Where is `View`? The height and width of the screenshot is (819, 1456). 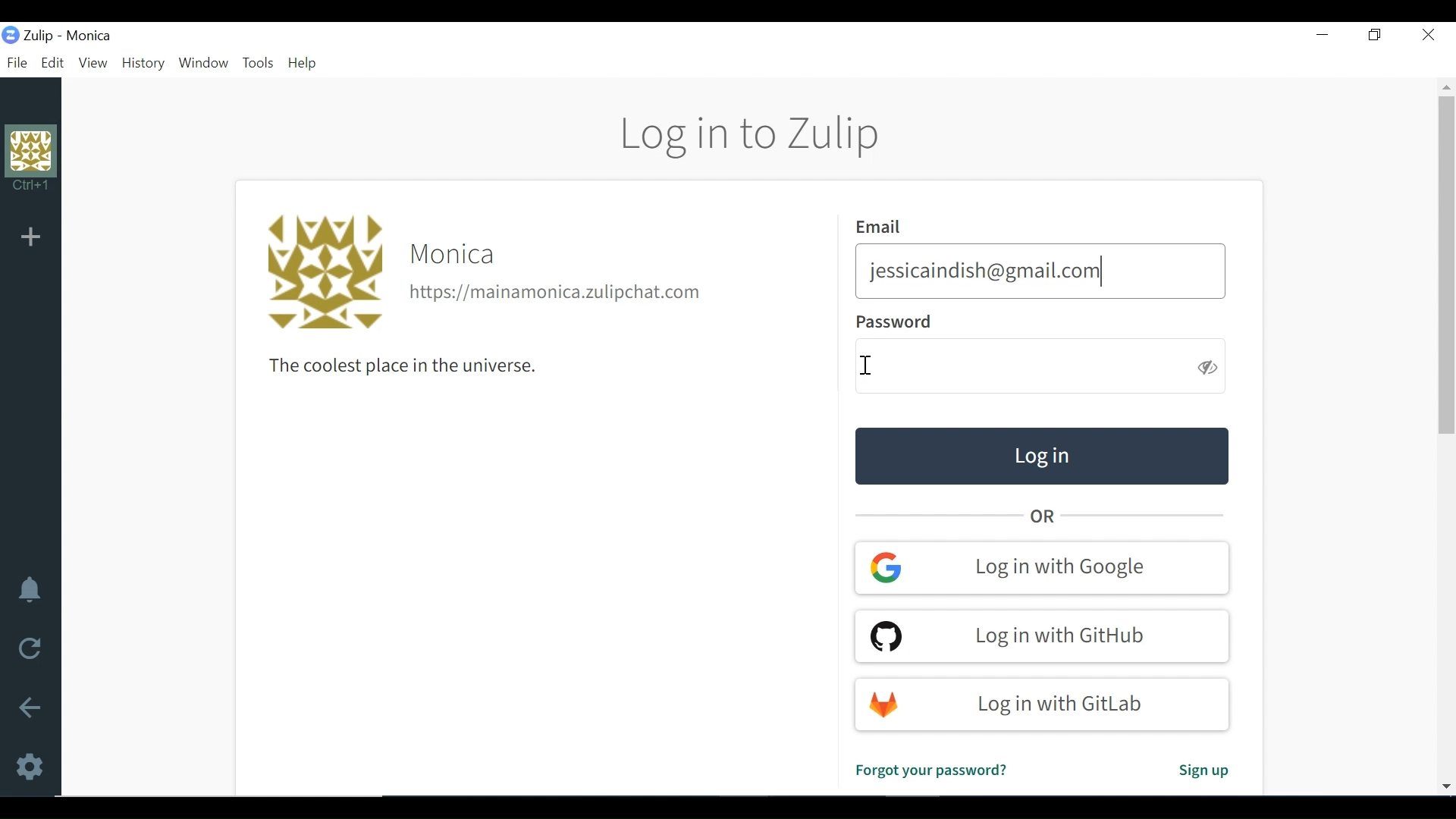
View is located at coordinates (93, 63).